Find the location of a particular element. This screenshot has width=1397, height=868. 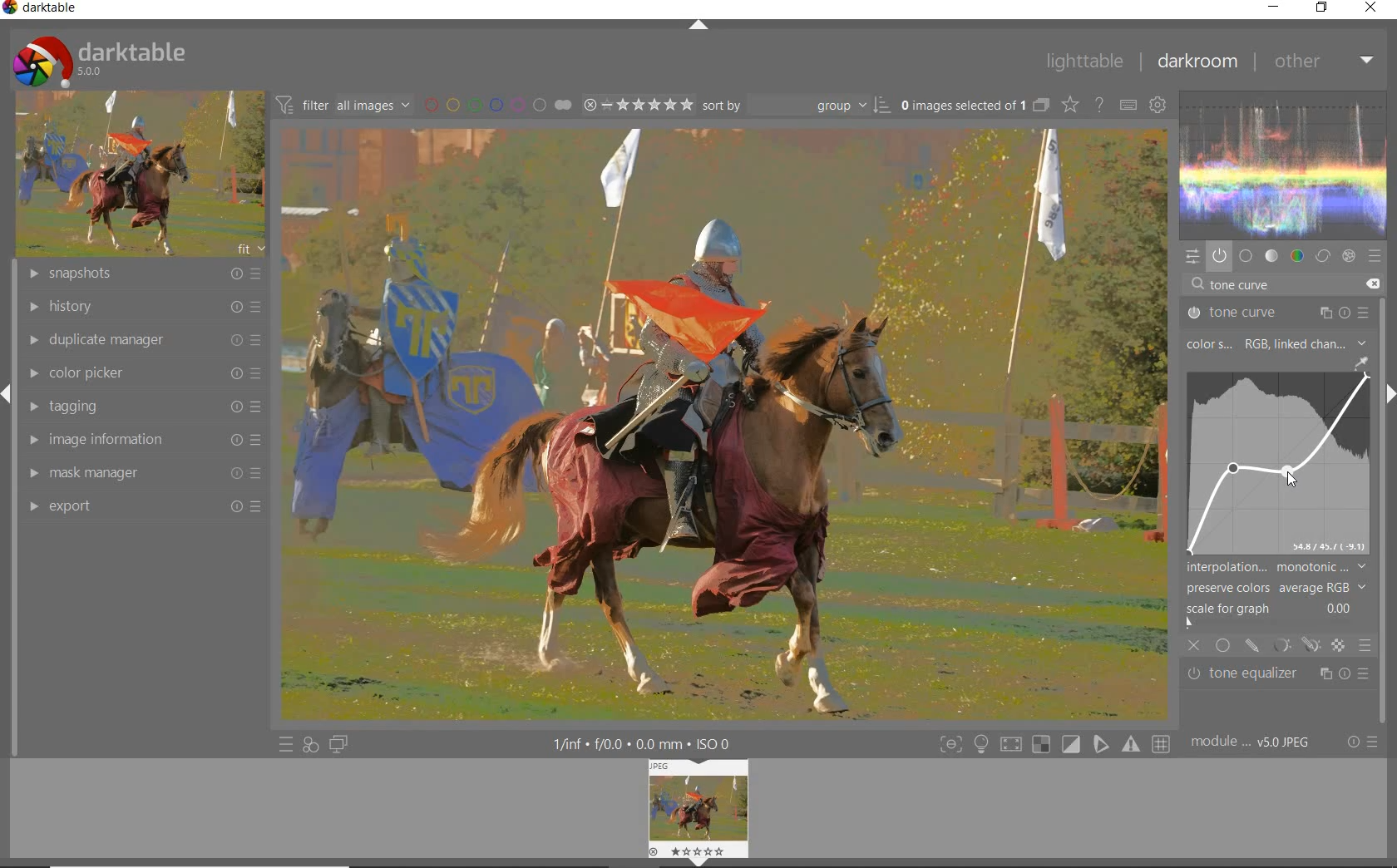

minimize is located at coordinates (1276, 7).